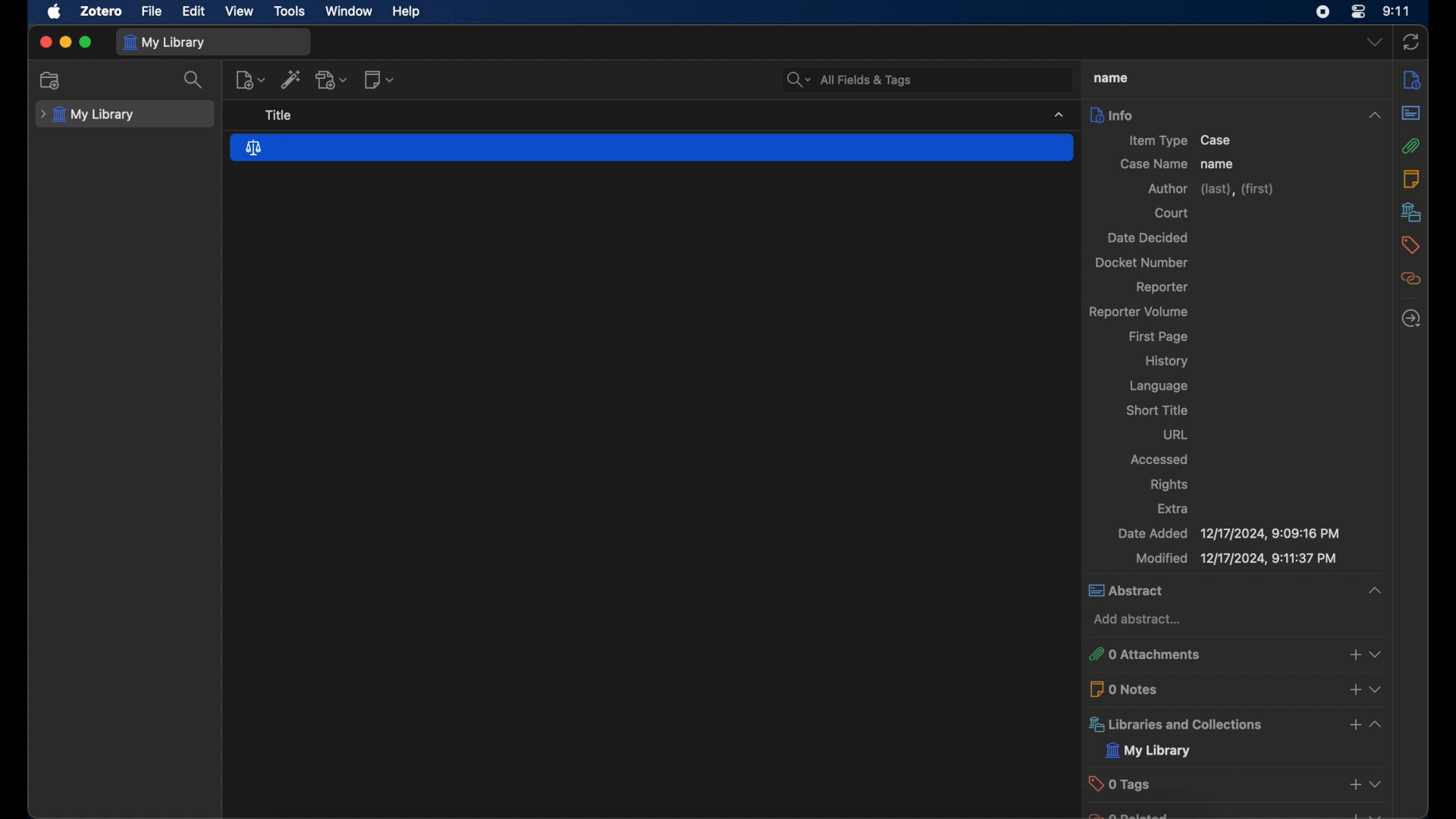  Describe the element at coordinates (1130, 77) in the screenshot. I see `case name` at that location.